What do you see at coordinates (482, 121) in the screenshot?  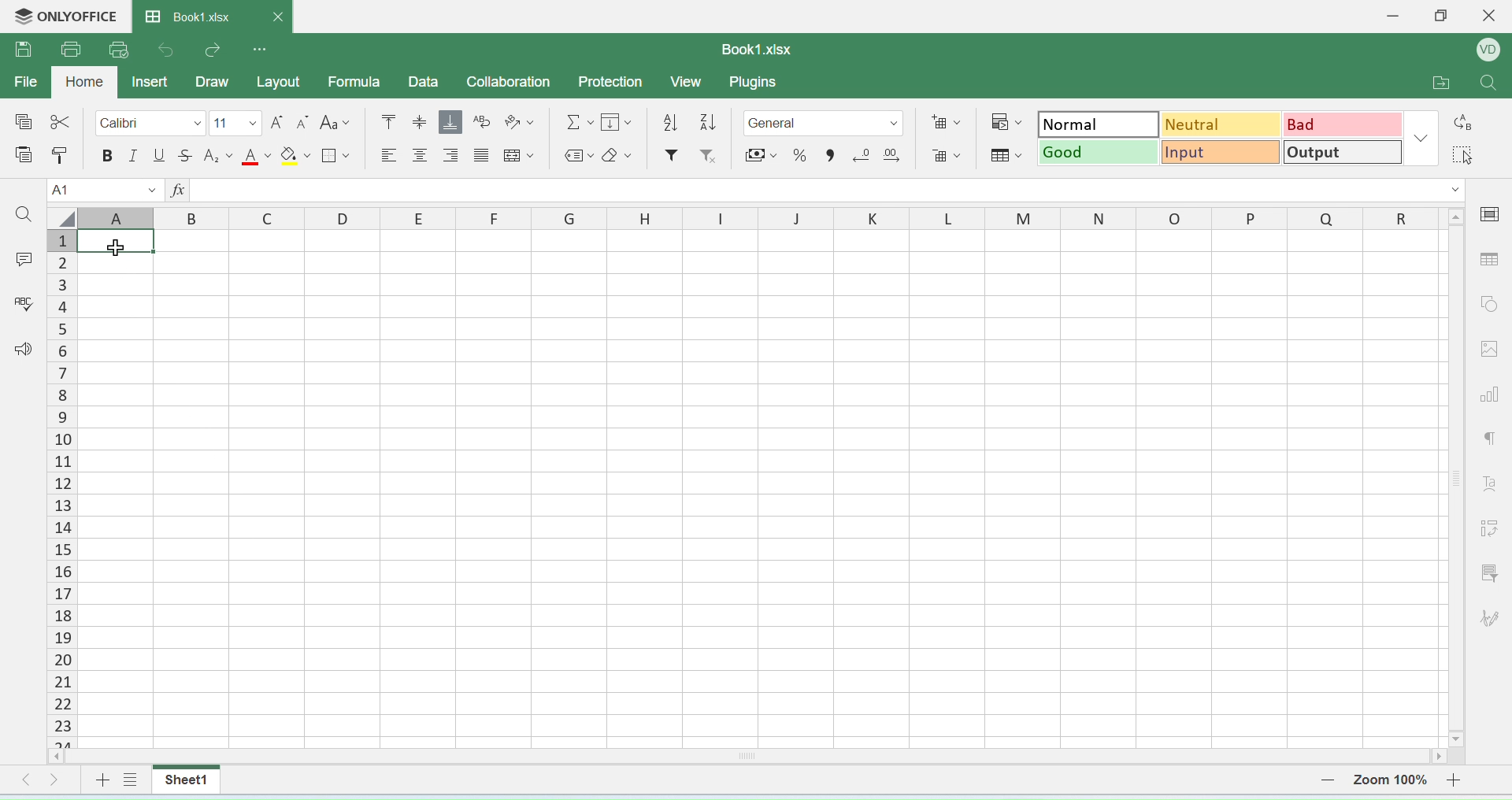 I see `wrap text` at bounding box center [482, 121].